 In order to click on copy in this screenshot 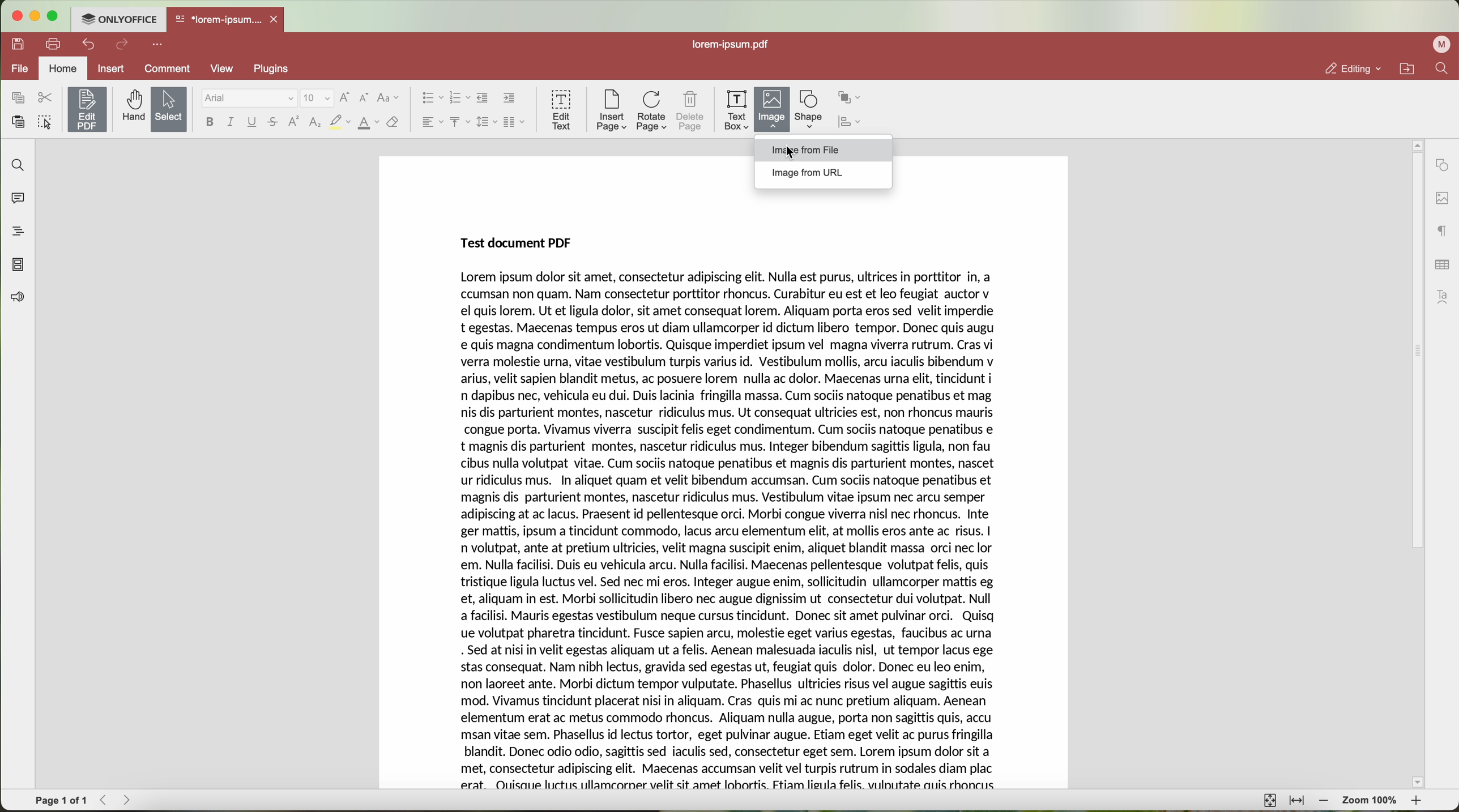, I will do `click(18, 98)`.